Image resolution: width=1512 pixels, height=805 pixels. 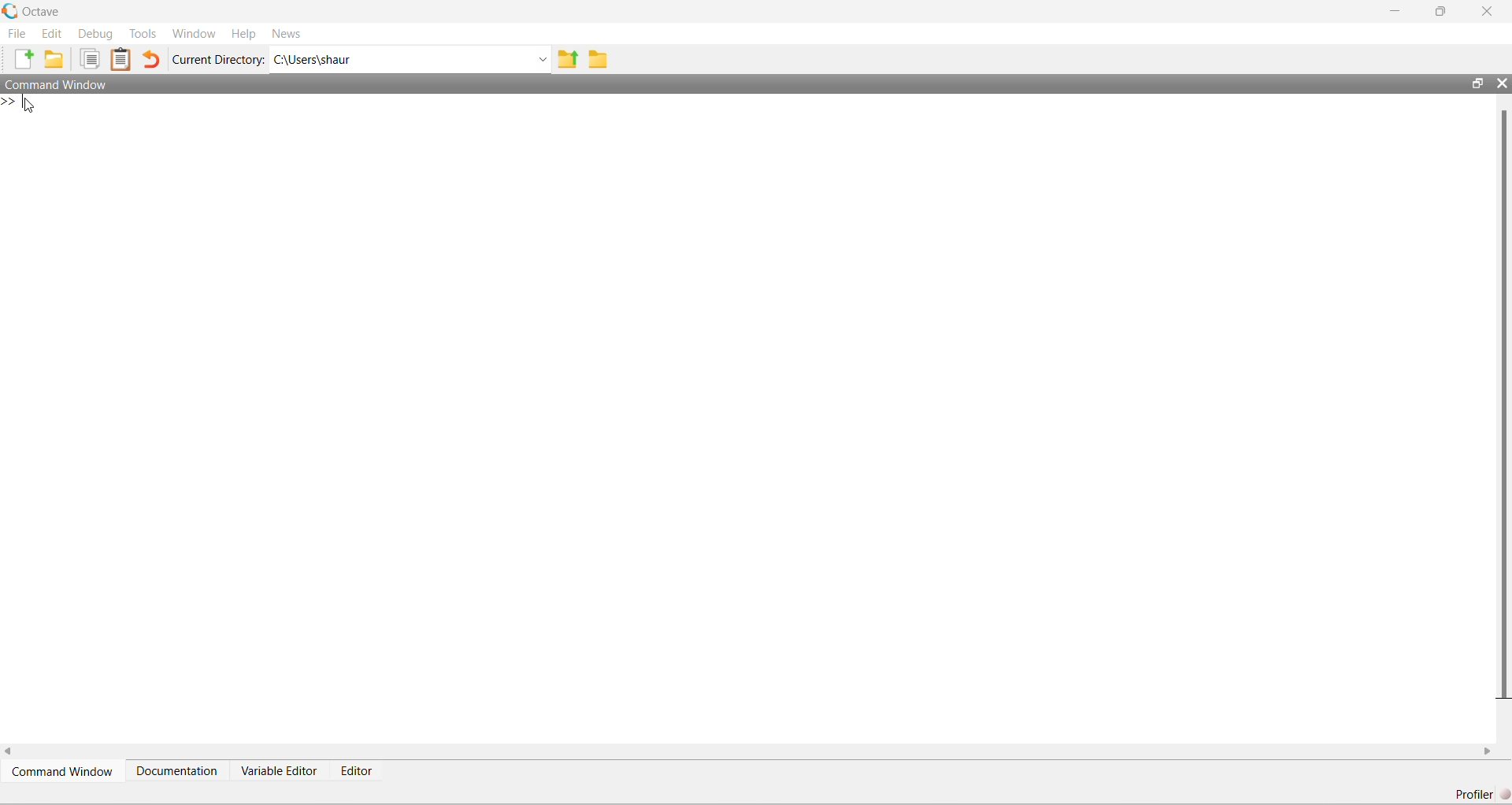 What do you see at coordinates (543, 59) in the screenshot?
I see `Enter directory name` at bounding box center [543, 59].